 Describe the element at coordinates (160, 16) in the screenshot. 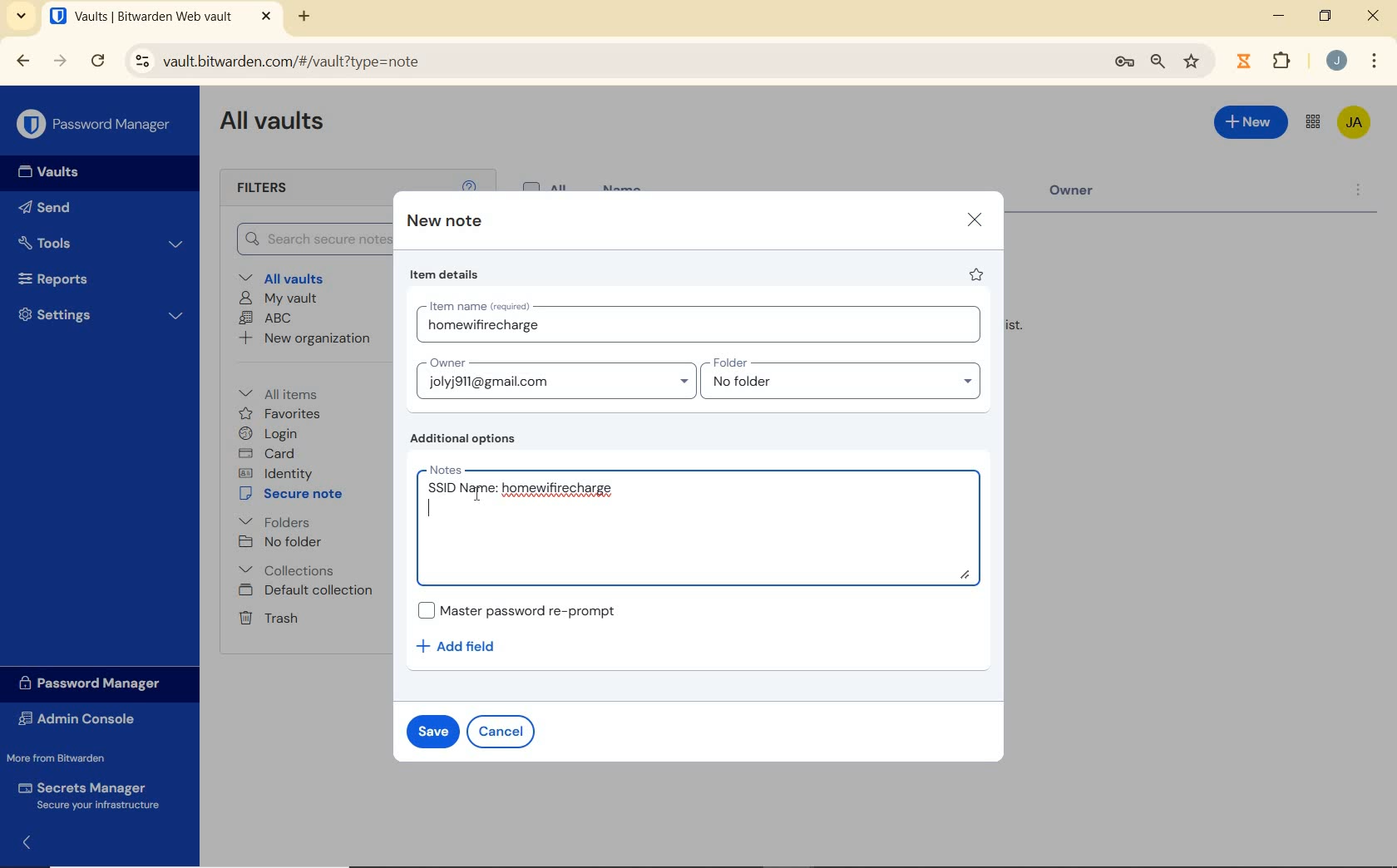

I see `open tab` at that location.